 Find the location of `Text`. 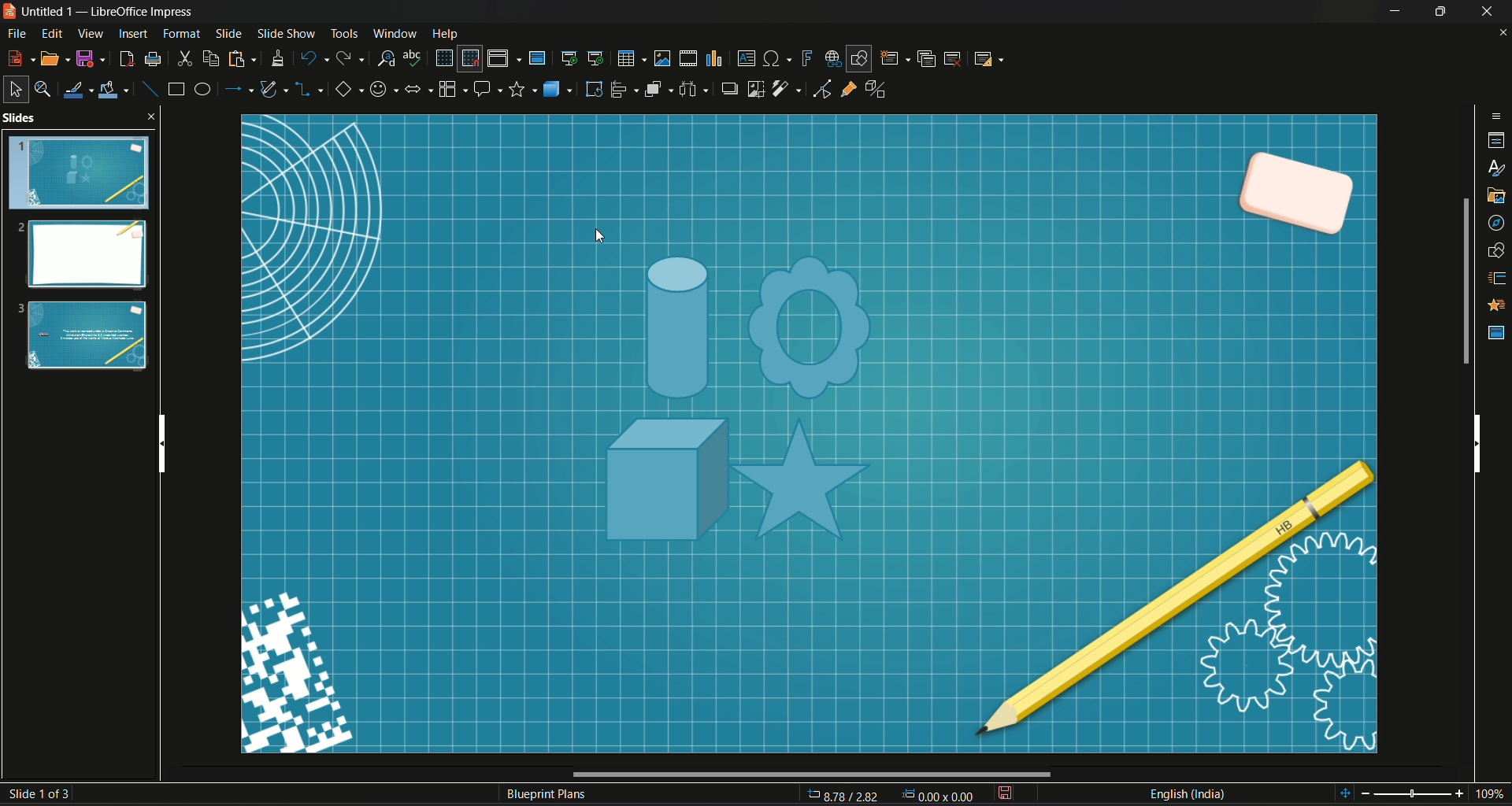

Text is located at coordinates (547, 796).